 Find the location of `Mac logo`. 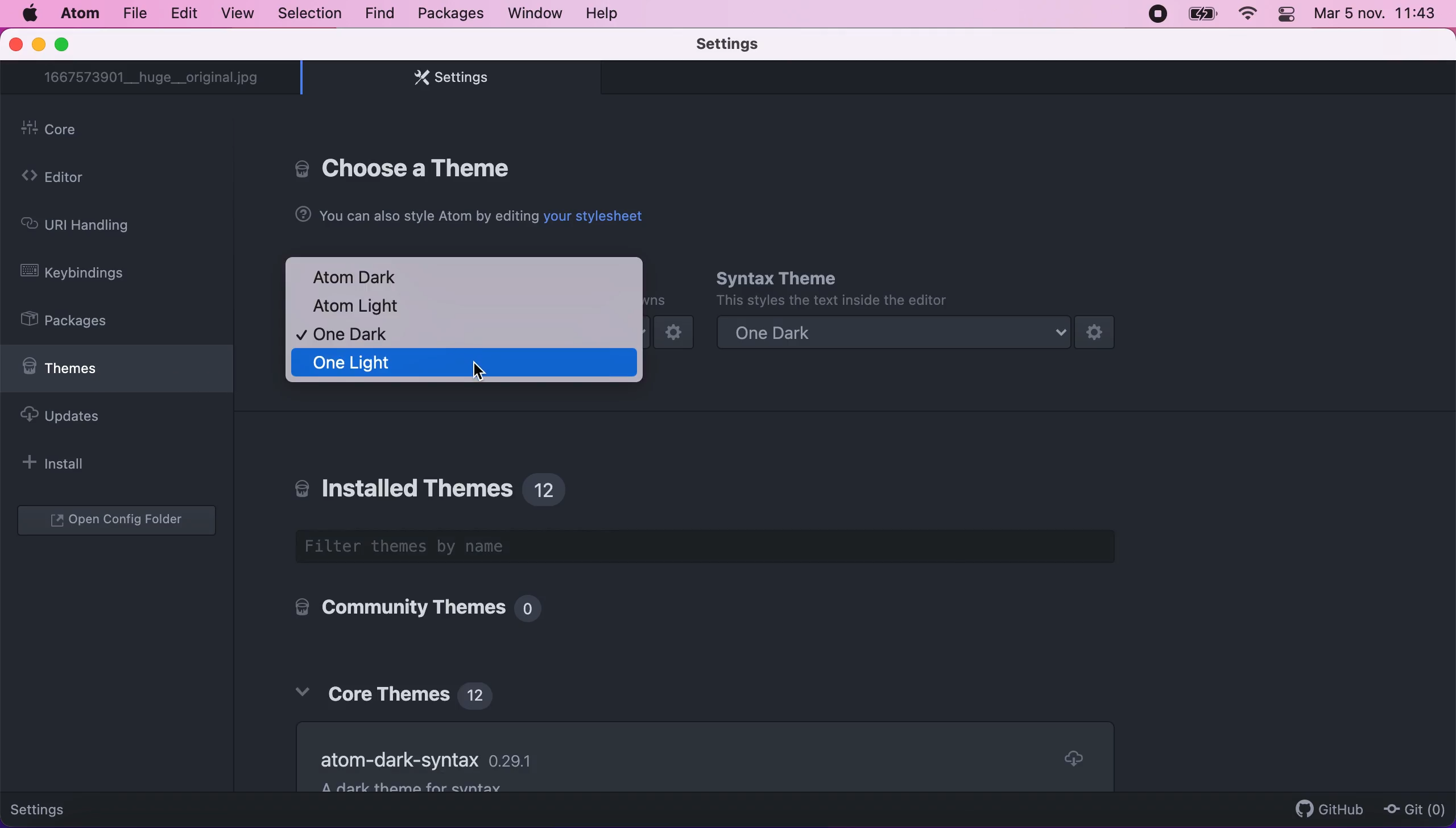

Mac logo is located at coordinates (31, 13).